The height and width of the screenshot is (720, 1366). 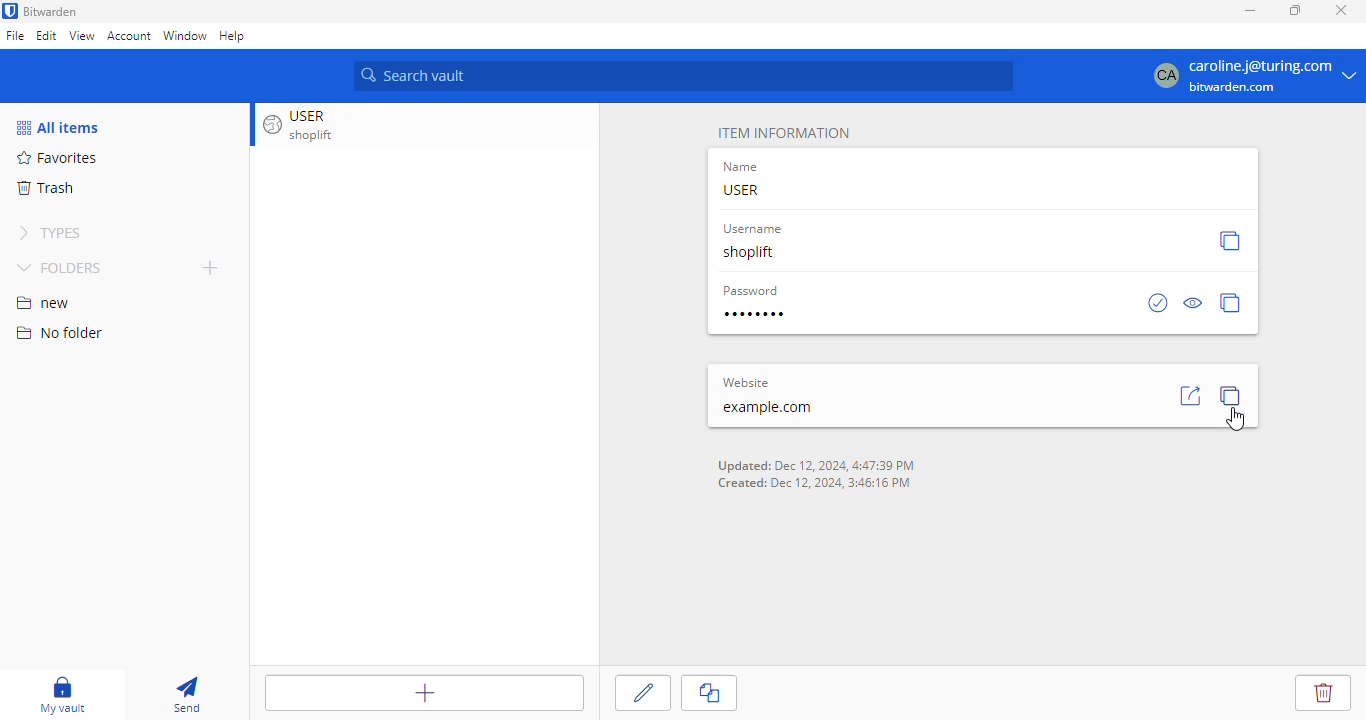 I want to click on Created: Dec 12 2024 3:46:16 PM, so click(x=816, y=482).